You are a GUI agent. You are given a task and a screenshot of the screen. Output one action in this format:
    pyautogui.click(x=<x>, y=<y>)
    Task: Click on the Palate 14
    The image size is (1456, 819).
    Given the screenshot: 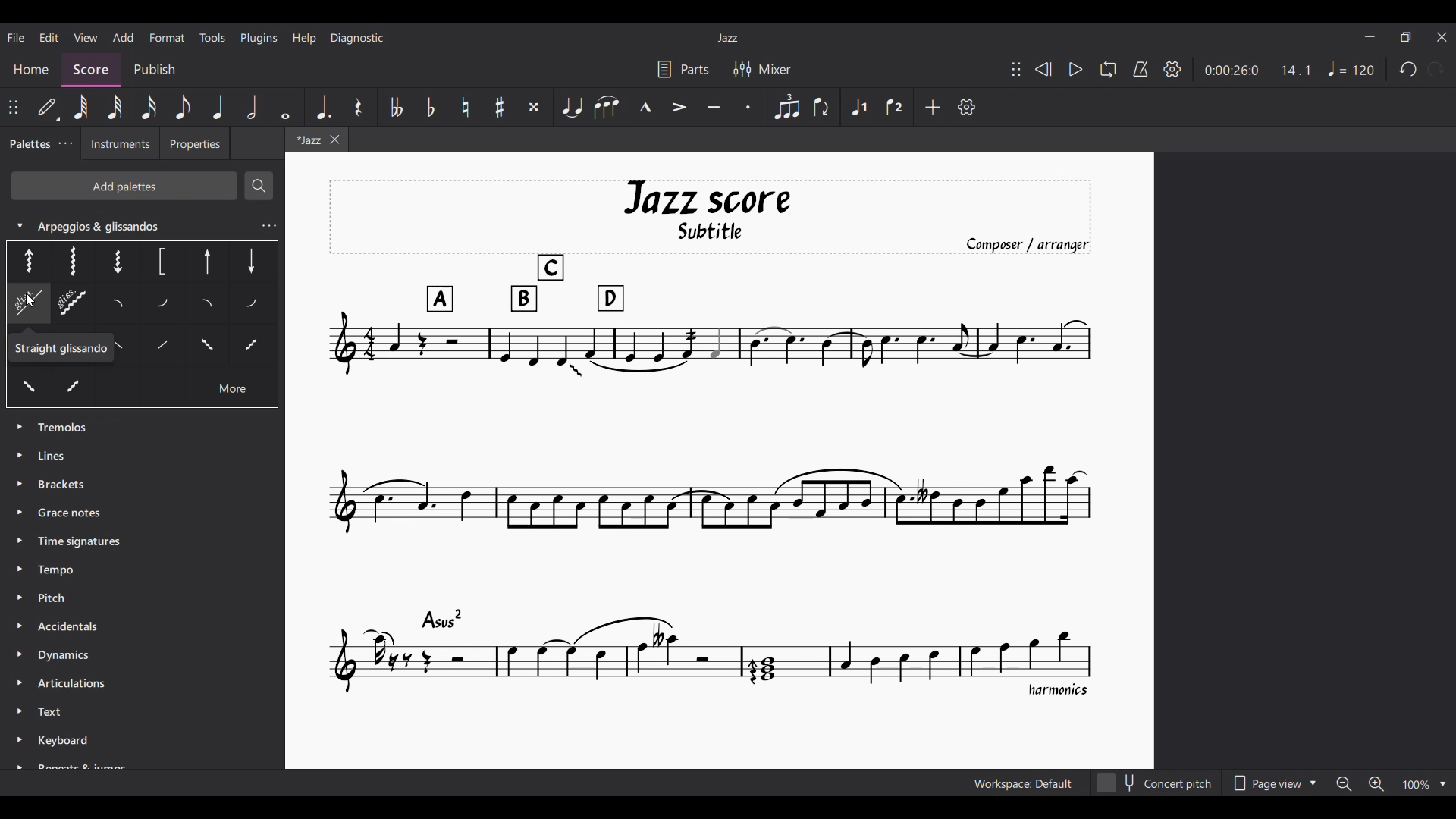 What is the action you would take?
    pyautogui.click(x=158, y=349)
    